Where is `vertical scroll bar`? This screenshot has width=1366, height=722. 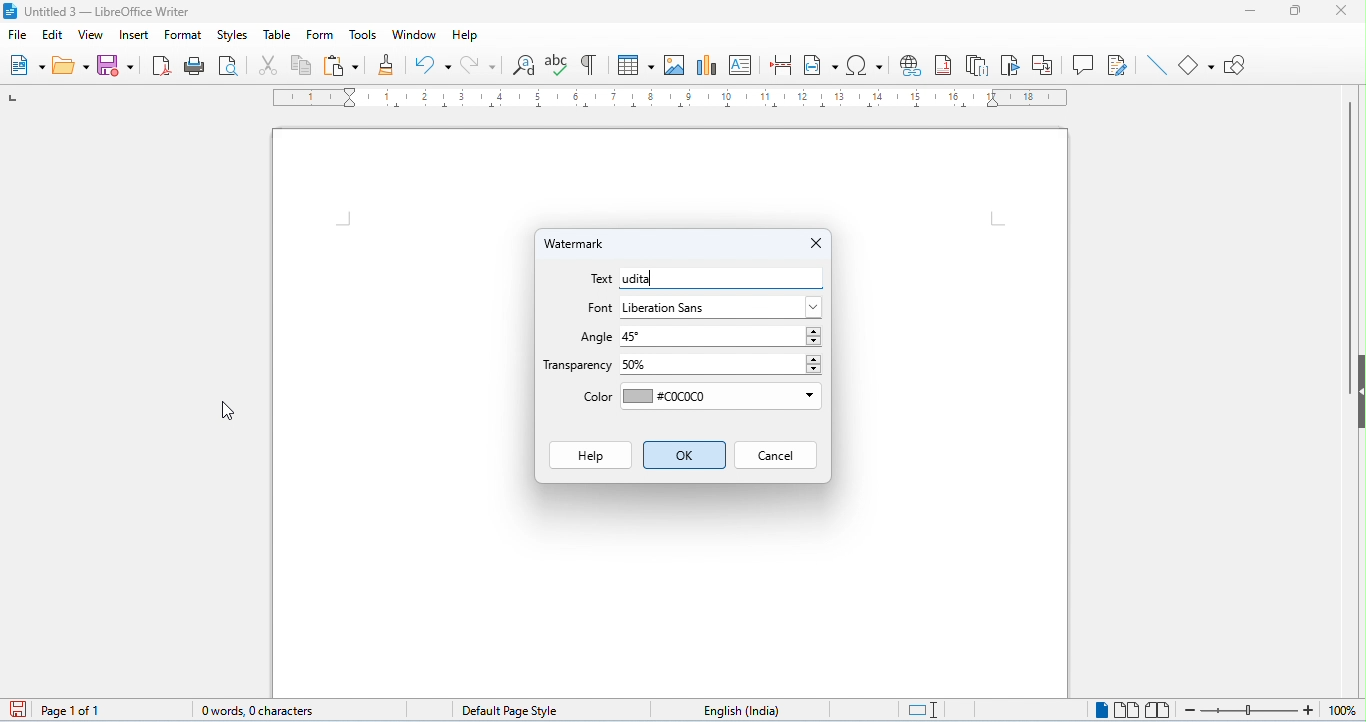 vertical scroll bar is located at coordinates (1349, 247).